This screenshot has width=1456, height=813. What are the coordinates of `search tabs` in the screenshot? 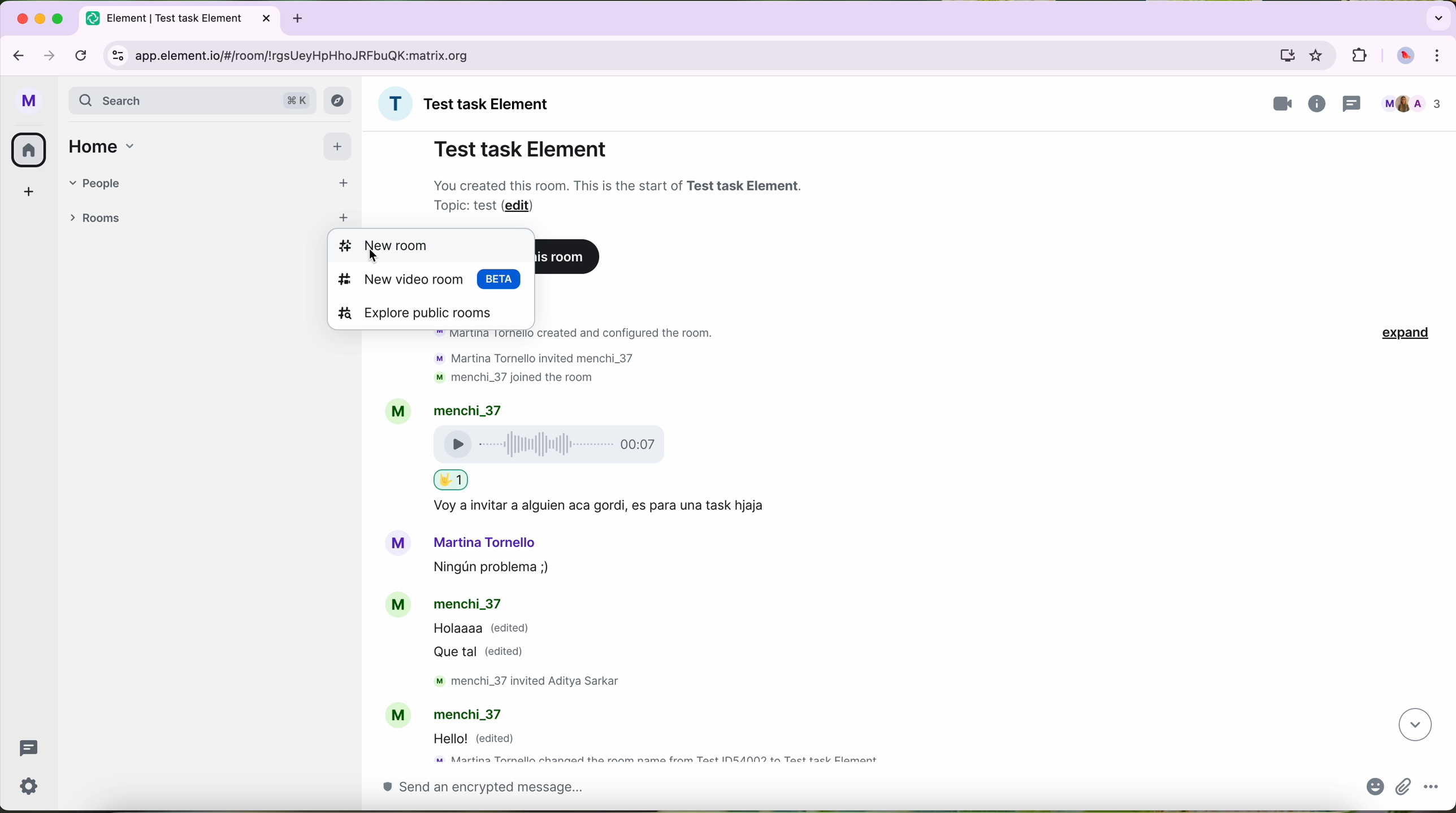 It's located at (1437, 17).